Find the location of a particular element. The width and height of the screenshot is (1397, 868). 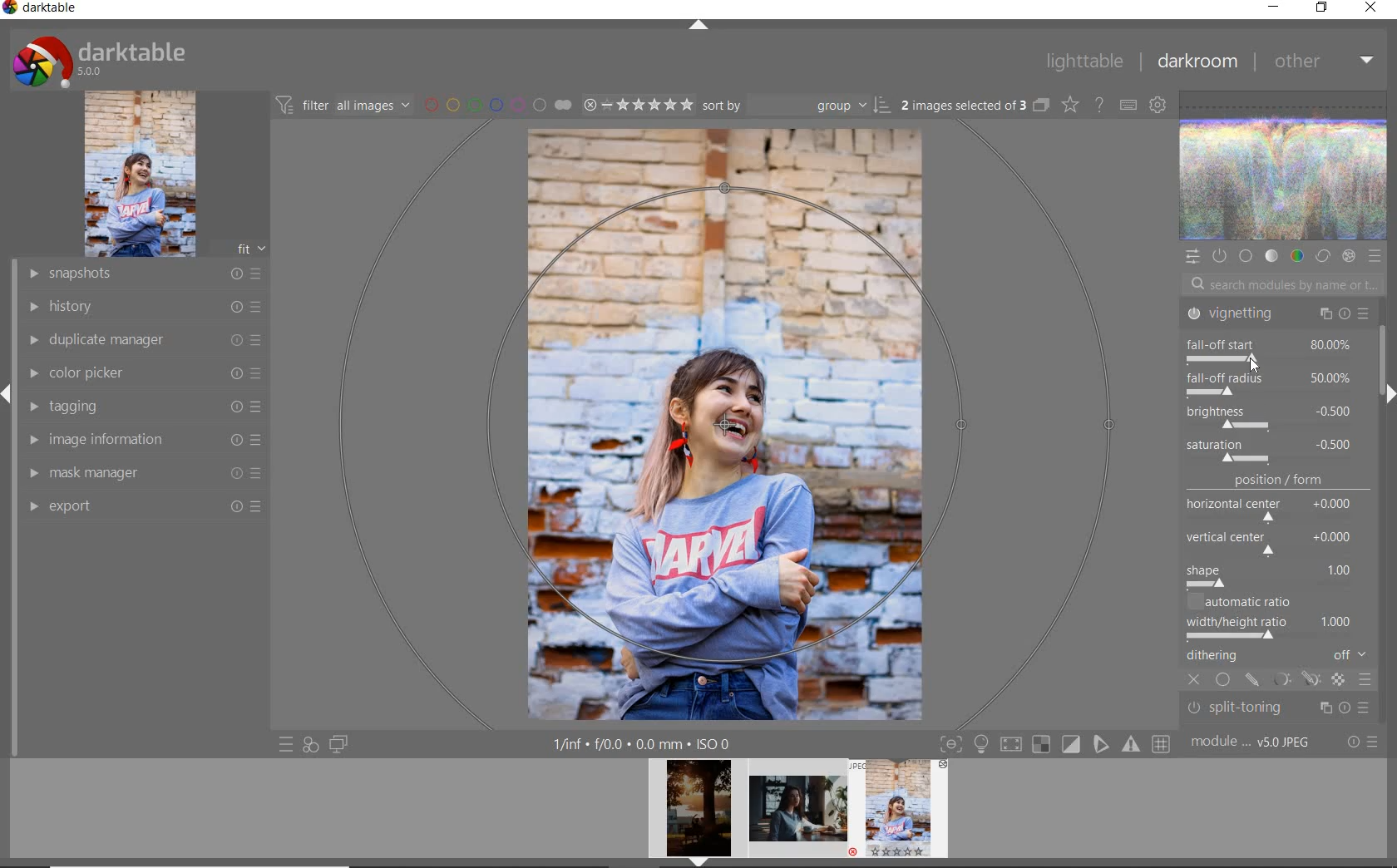

search modules is located at coordinates (1279, 287).